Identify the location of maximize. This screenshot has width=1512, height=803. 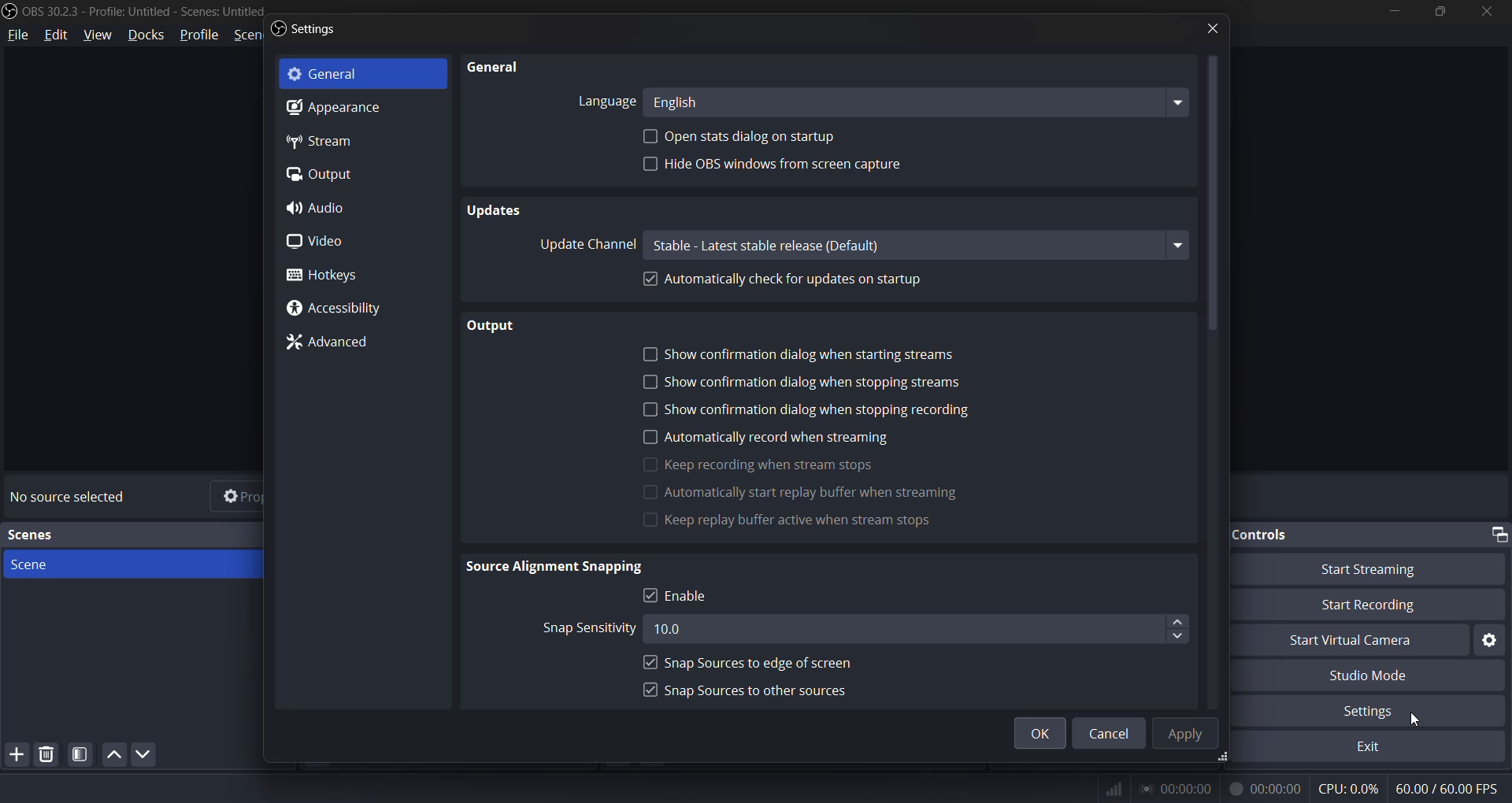
(1440, 12).